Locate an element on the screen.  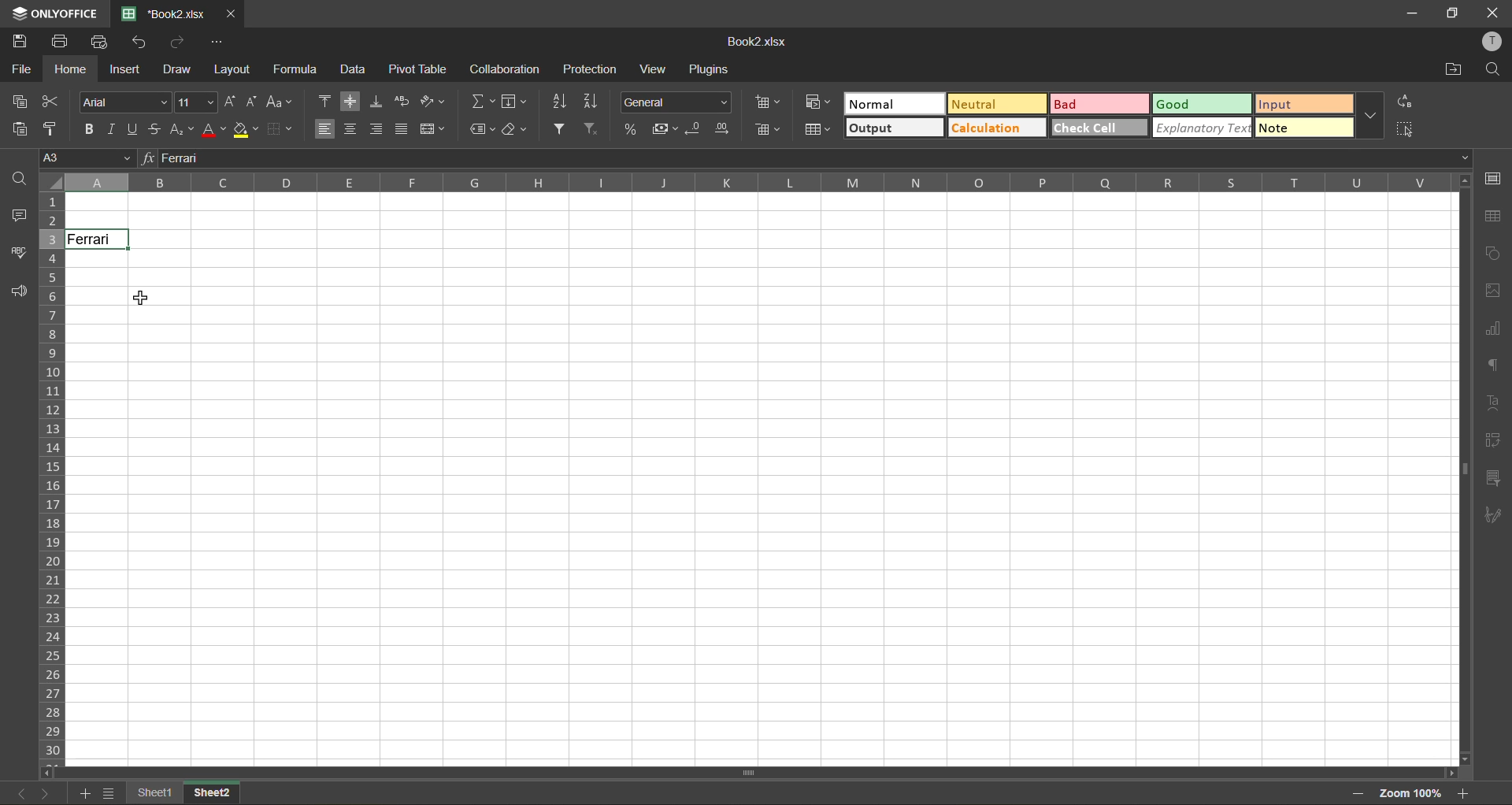
orientation is located at coordinates (432, 101).